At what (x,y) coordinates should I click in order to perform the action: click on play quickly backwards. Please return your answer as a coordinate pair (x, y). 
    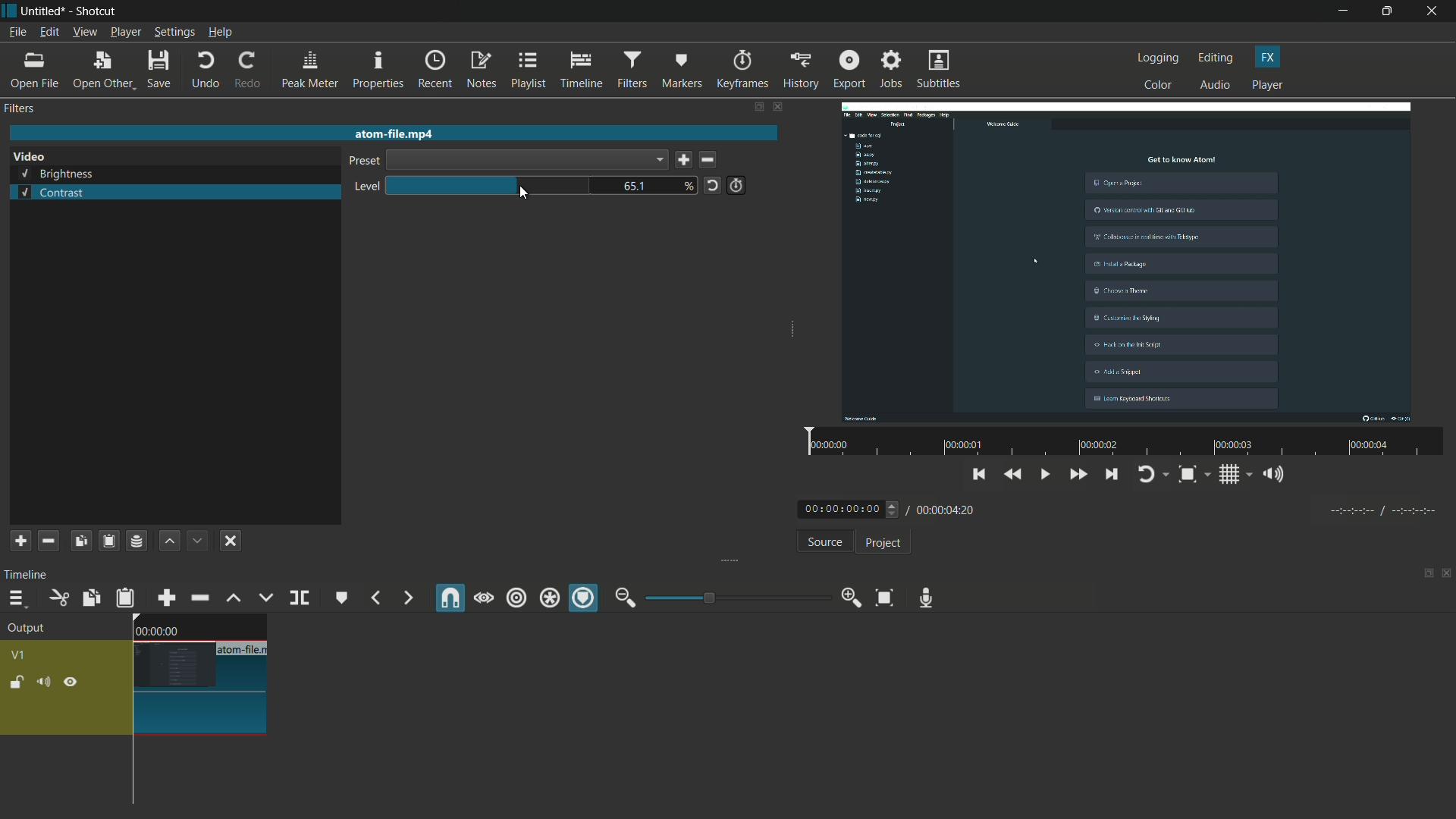
    Looking at the image, I should click on (1014, 475).